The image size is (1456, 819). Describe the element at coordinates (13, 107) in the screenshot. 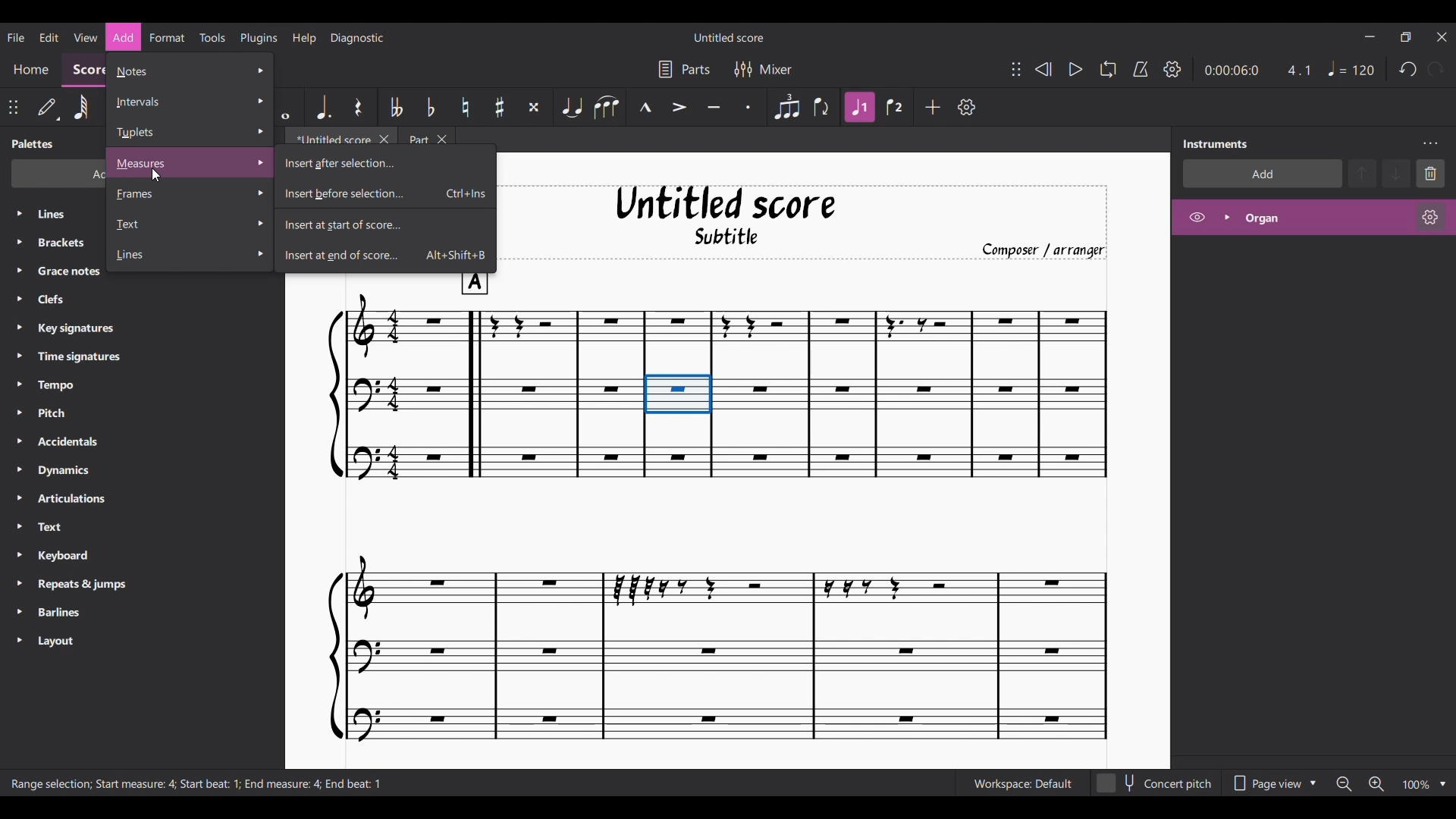

I see `Change position of toolbar attached` at that location.